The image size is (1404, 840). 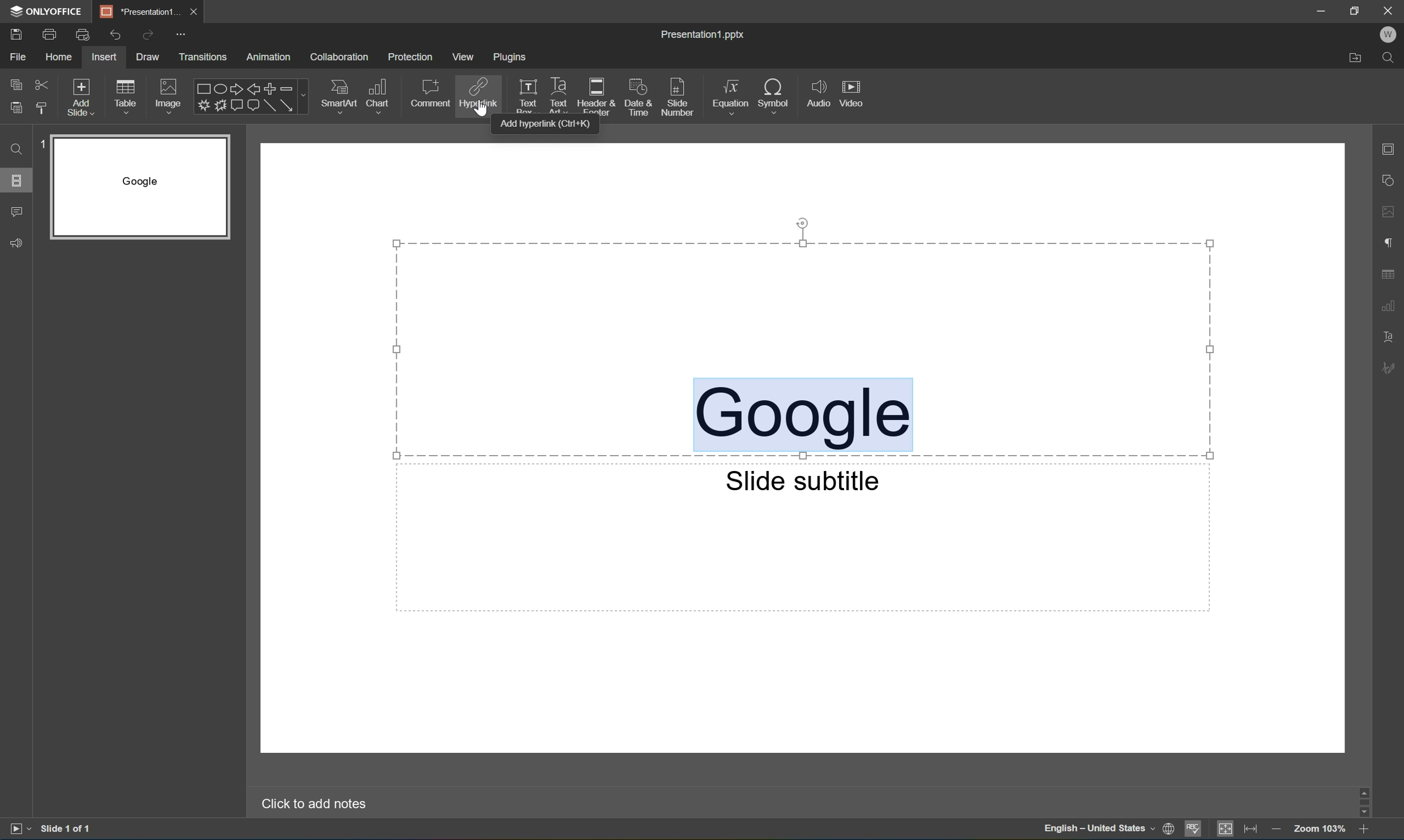 I want to click on Hyperlink, so click(x=477, y=95).